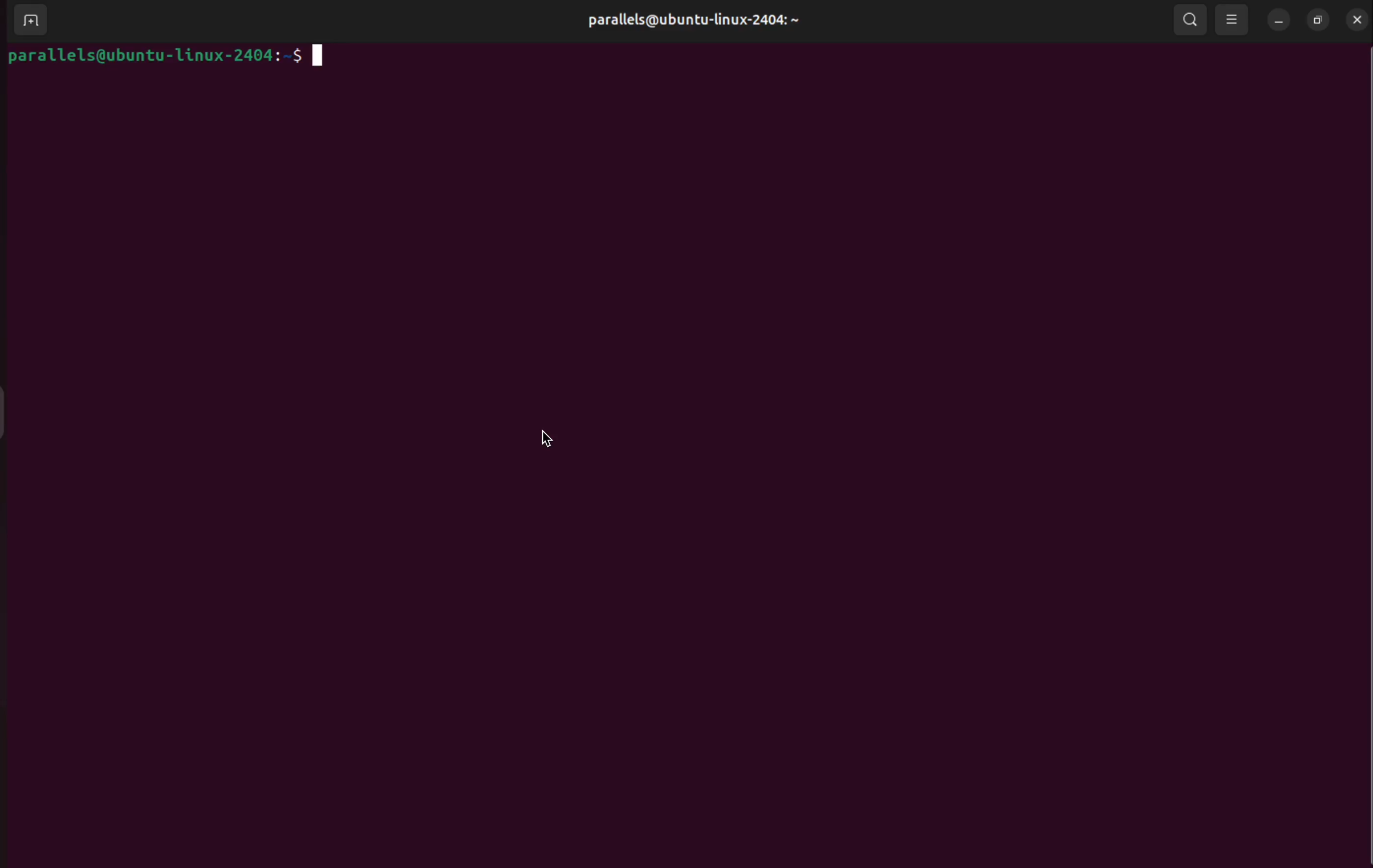 The image size is (1373, 868). Describe the element at coordinates (30, 21) in the screenshot. I see `add terminal` at that location.